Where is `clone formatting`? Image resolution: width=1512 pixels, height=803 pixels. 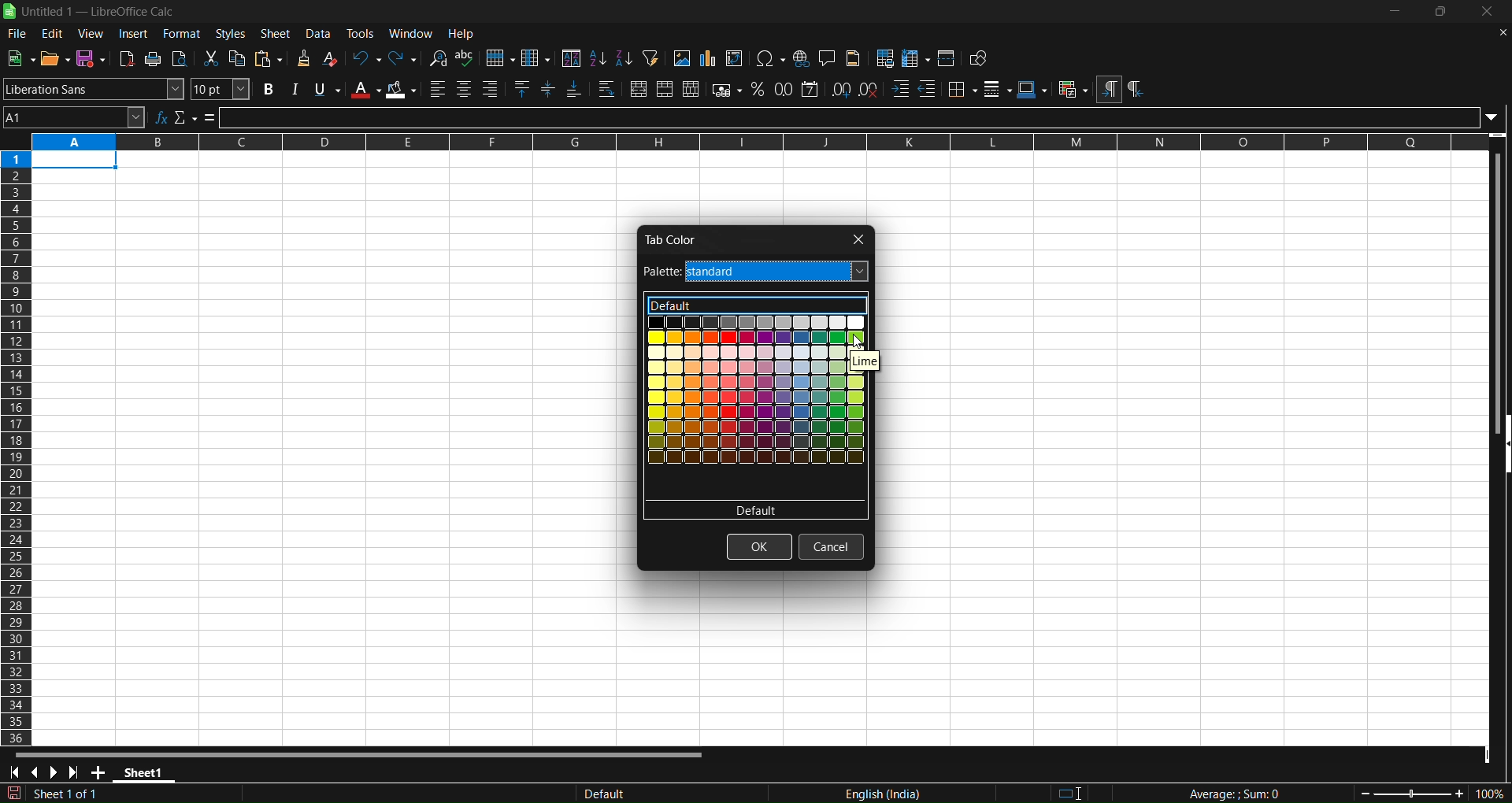 clone formatting is located at coordinates (302, 59).